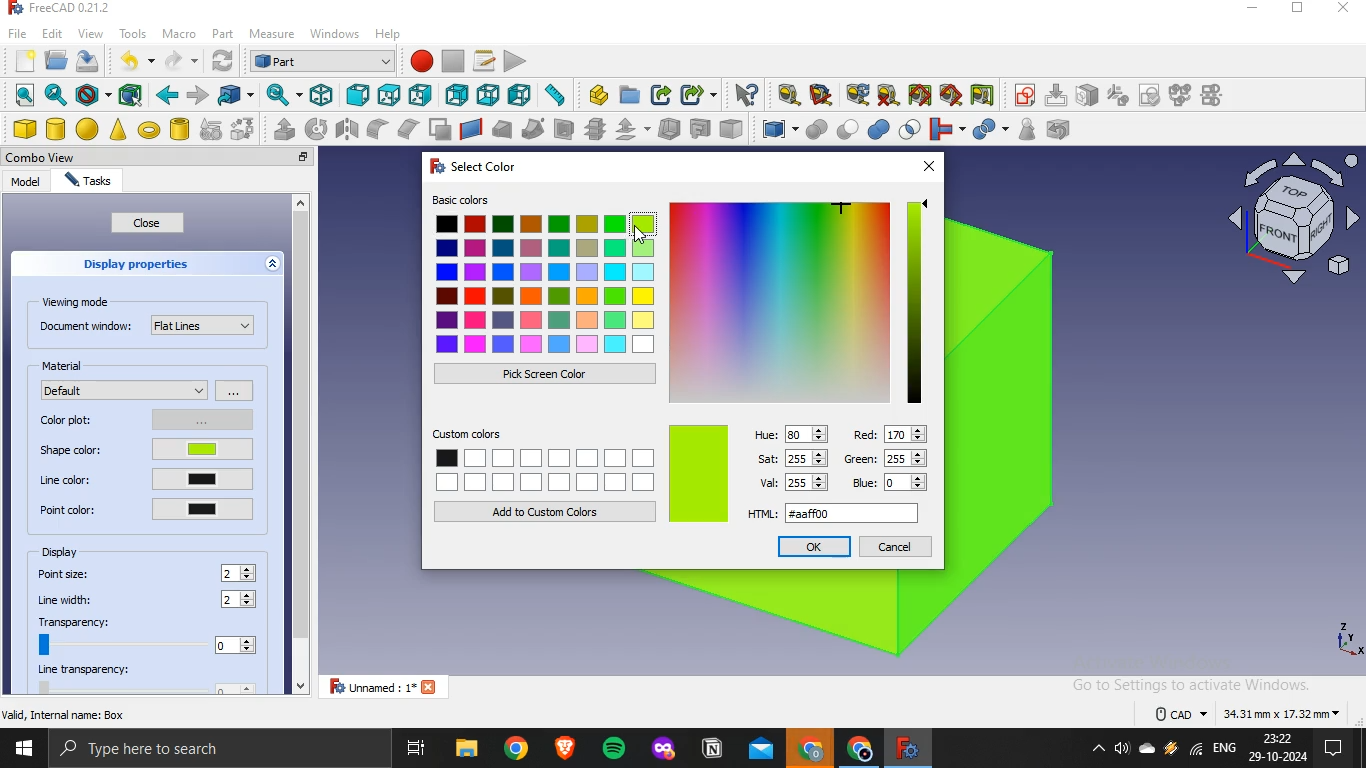  I want to click on front, so click(357, 95).